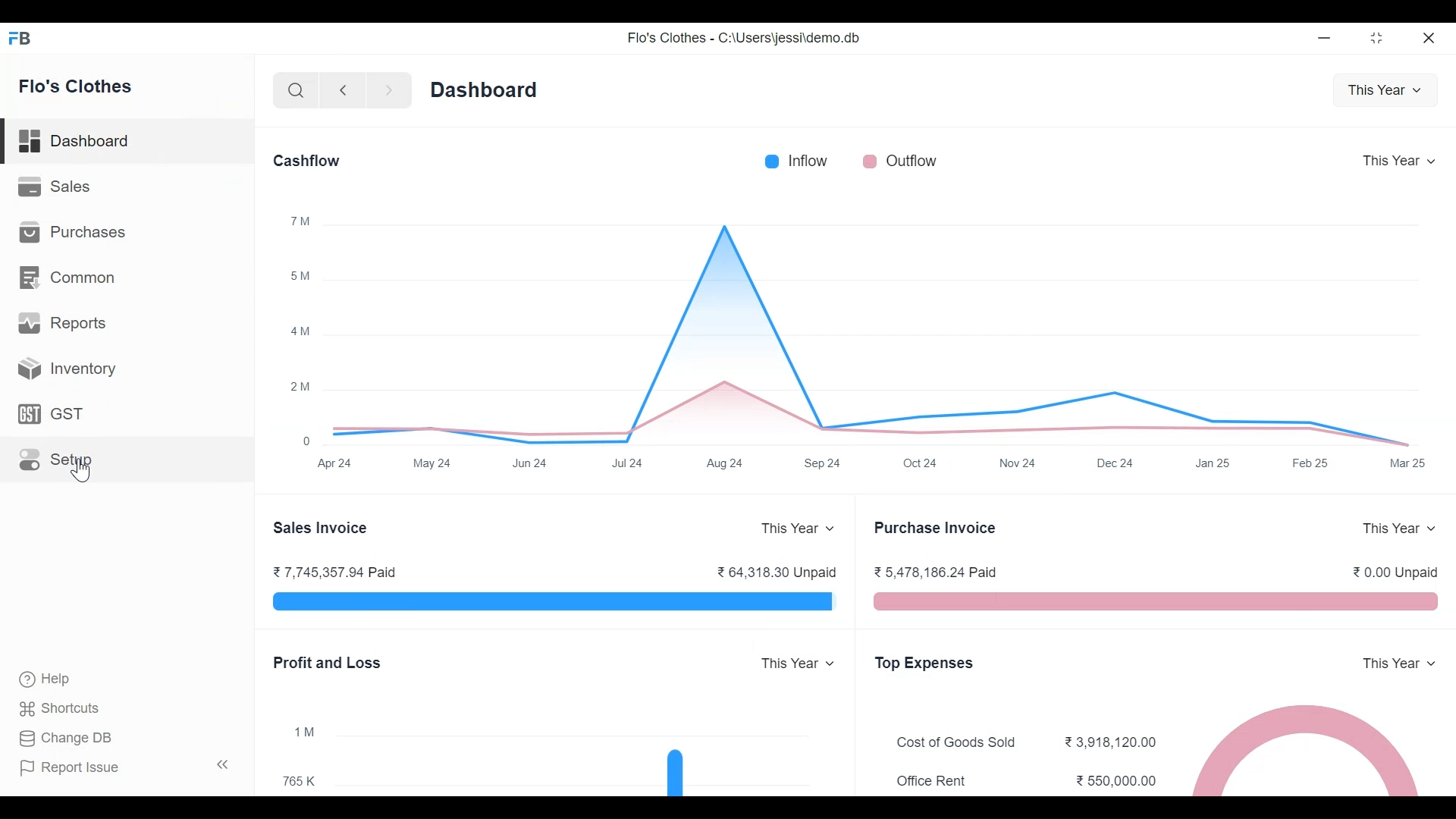  I want to click on Cursor, so click(68, 470).